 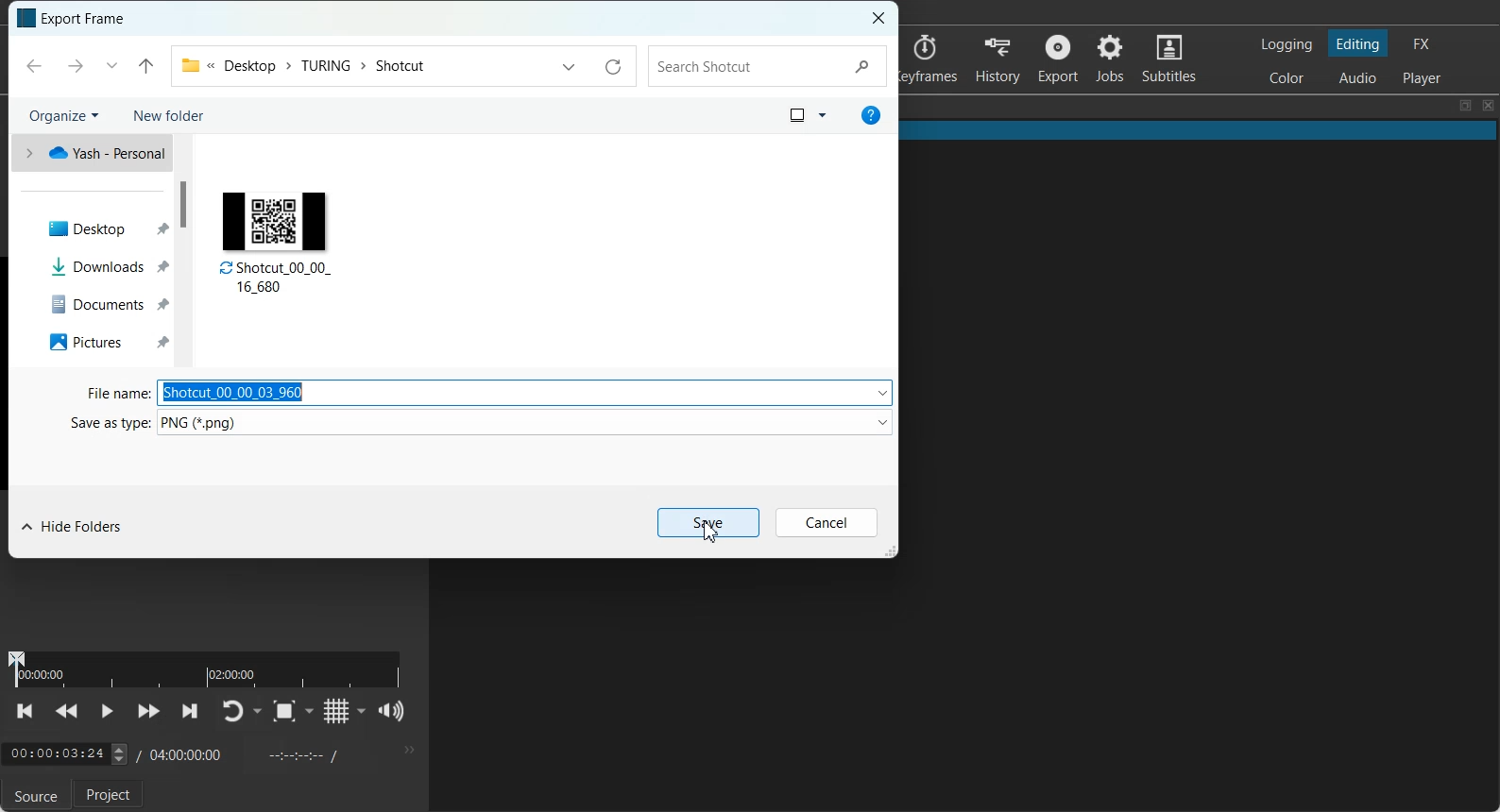 What do you see at coordinates (827, 522) in the screenshot?
I see `Cancel` at bounding box center [827, 522].